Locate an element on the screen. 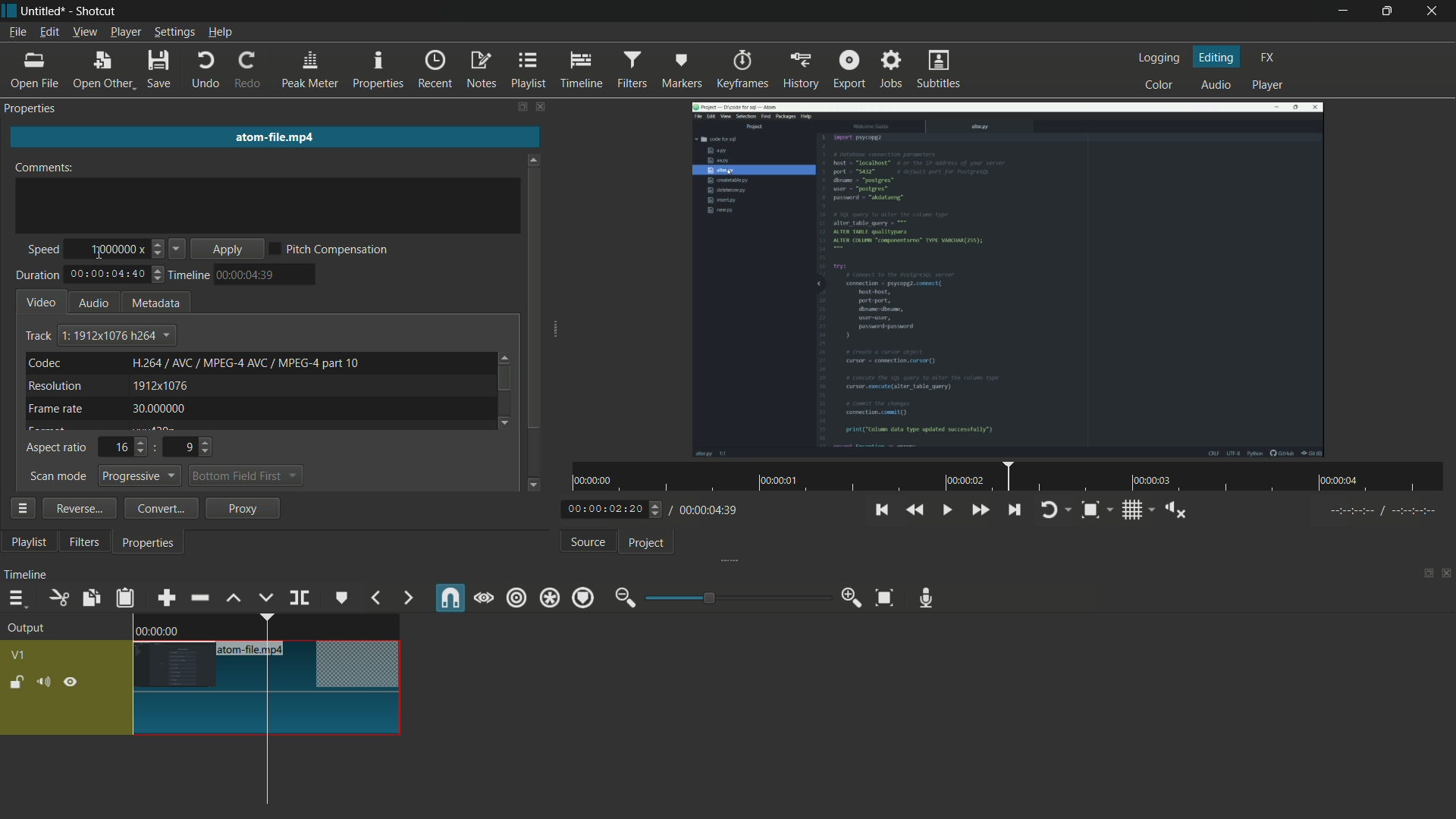 This screenshot has height=819, width=1456. adjustment bar is located at coordinates (736, 596).